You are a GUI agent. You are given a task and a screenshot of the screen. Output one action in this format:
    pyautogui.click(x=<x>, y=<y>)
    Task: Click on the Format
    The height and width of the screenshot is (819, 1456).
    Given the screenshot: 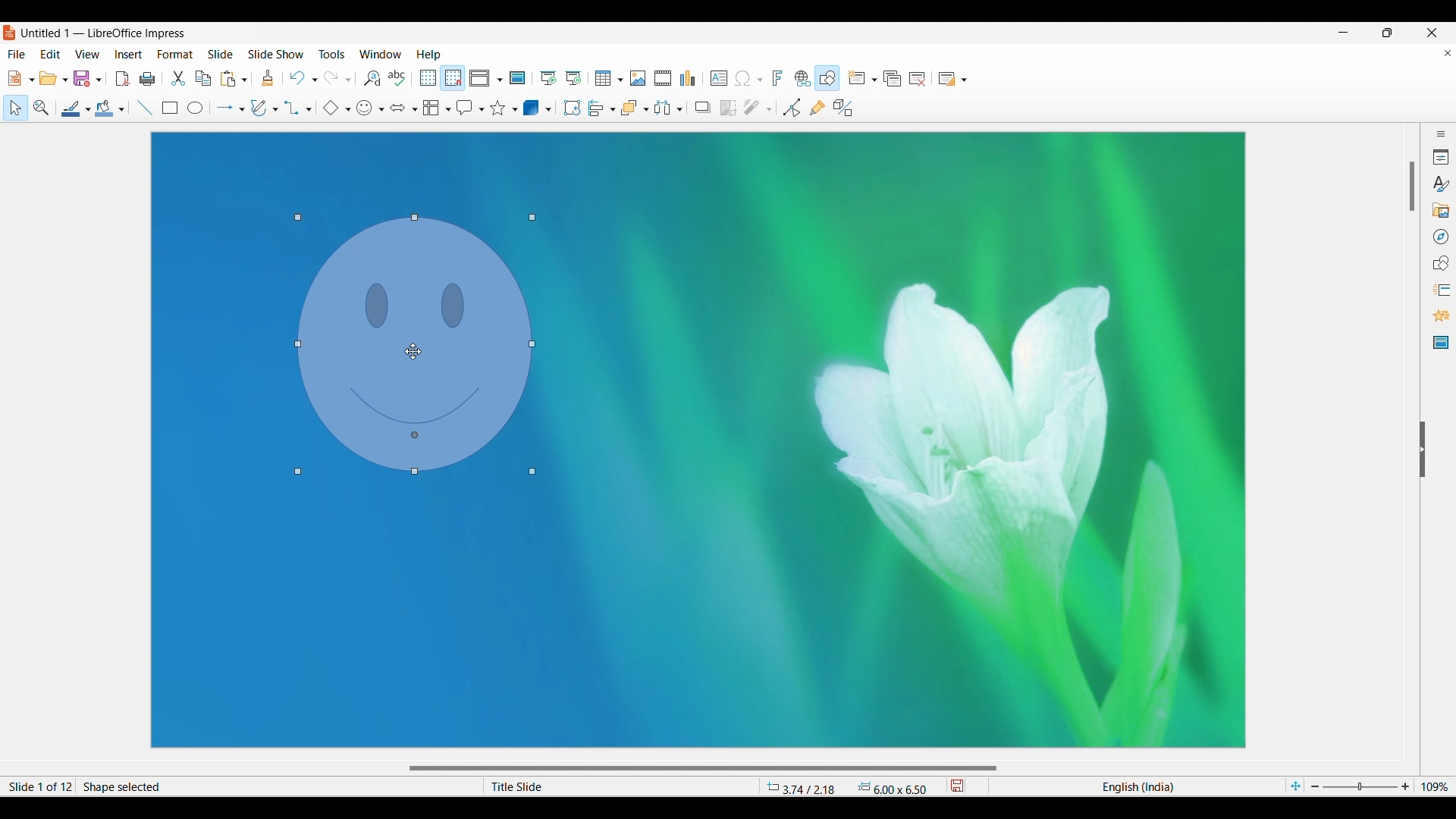 What is the action you would take?
    pyautogui.click(x=175, y=55)
    